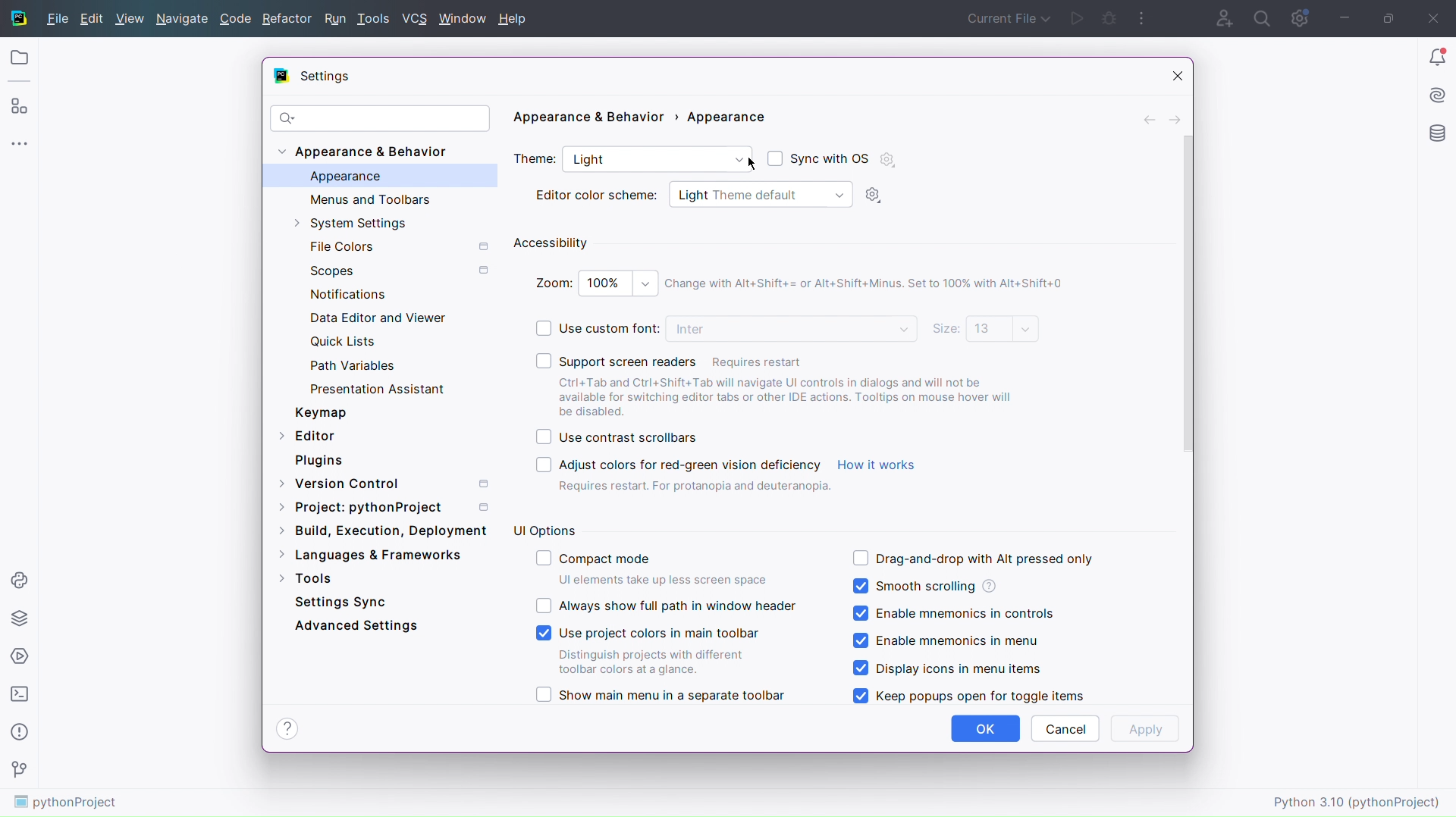 The image size is (1456, 817). I want to click on Use contrast scrollbars, so click(616, 438).